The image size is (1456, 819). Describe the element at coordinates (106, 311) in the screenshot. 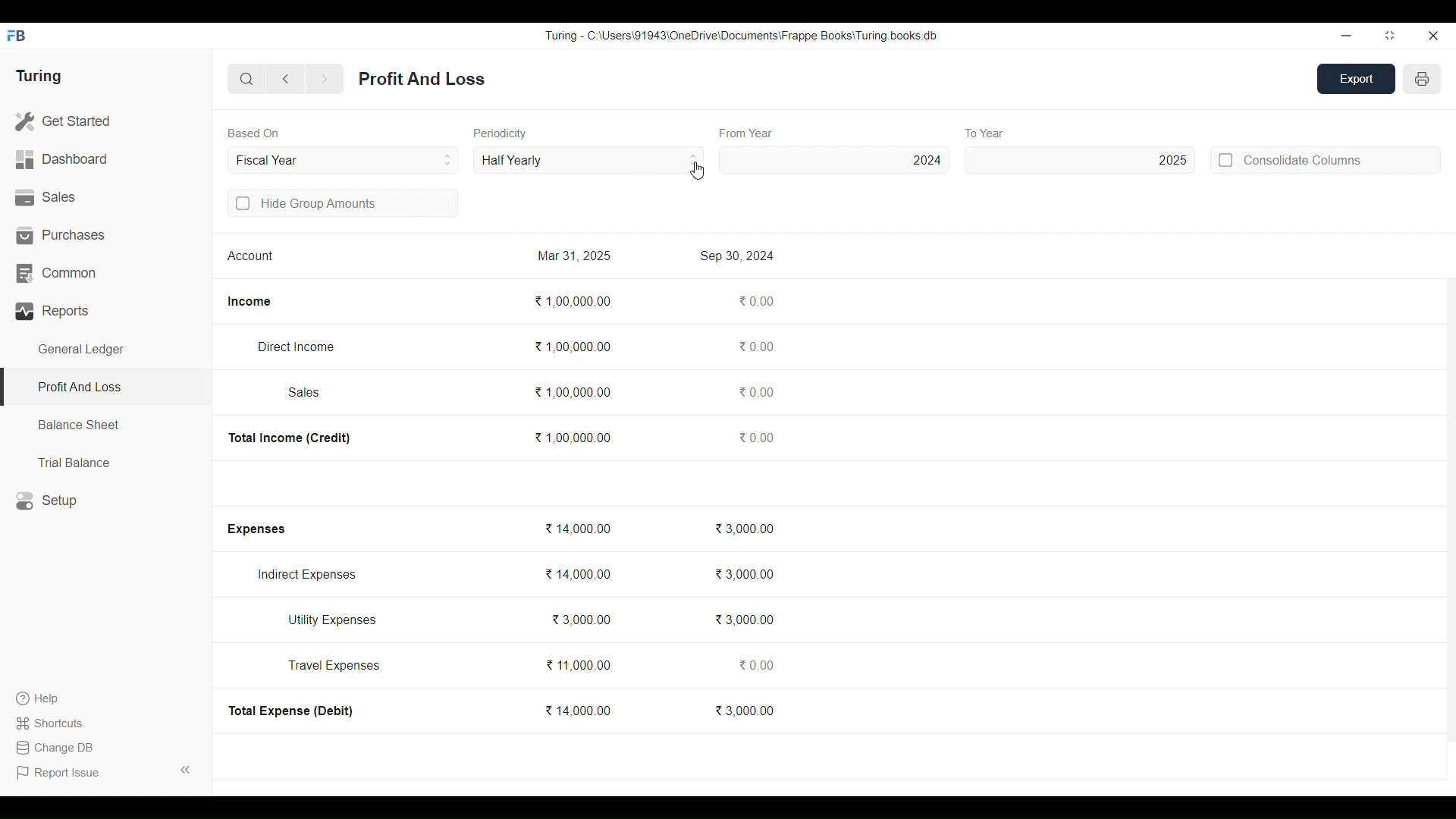

I see `Reports` at that location.